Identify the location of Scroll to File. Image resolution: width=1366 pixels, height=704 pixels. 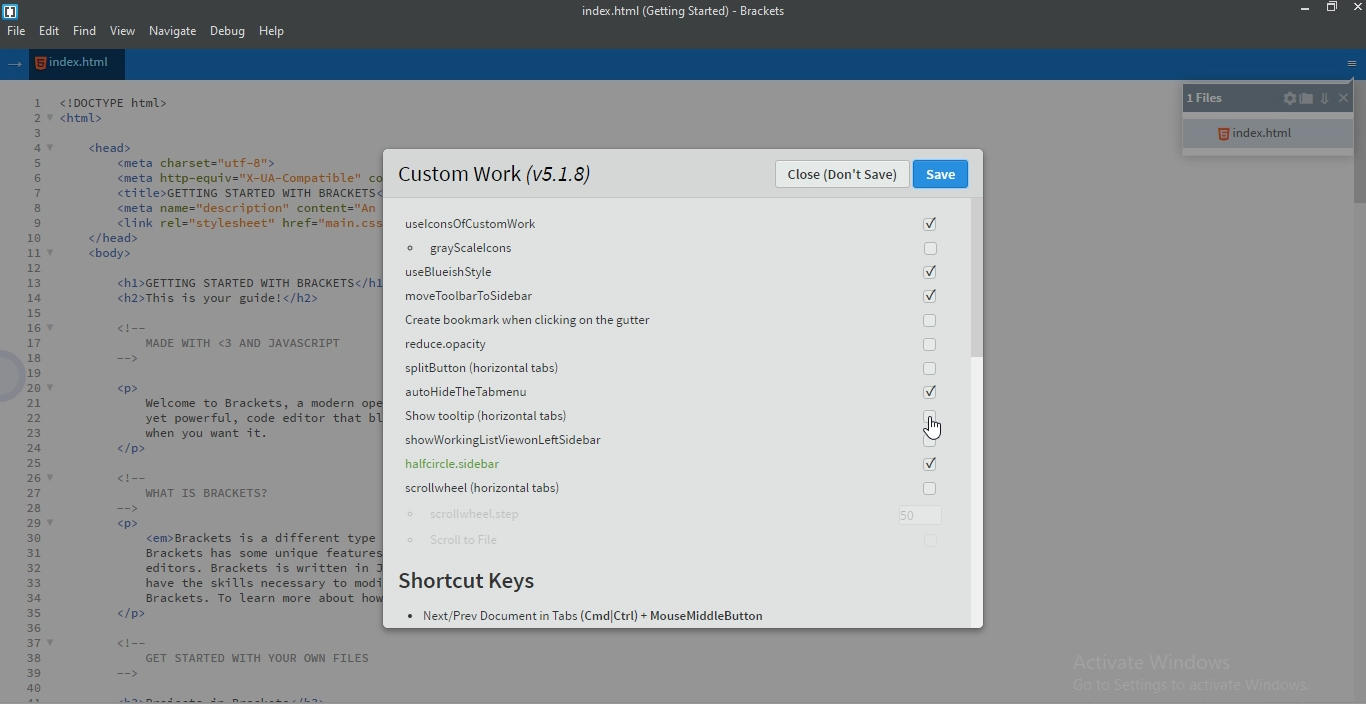
(678, 538).